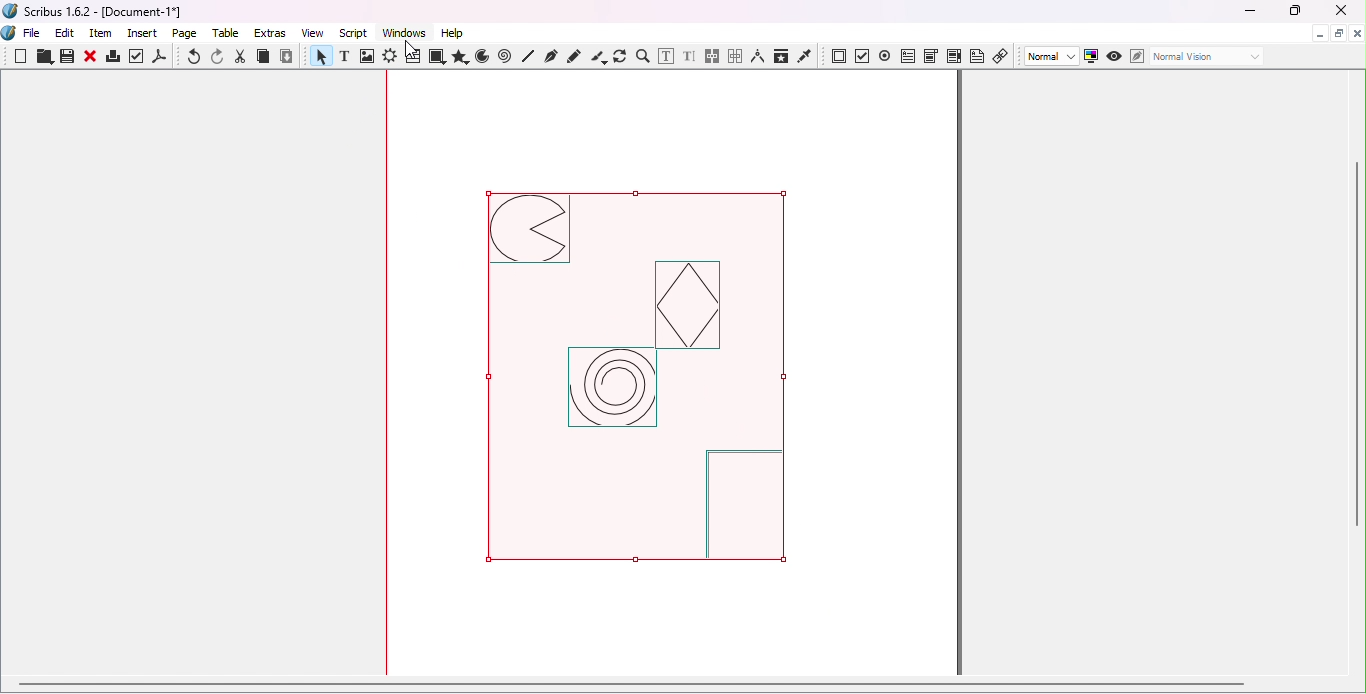 This screenshot has width=1366, height=694. Describe the element at coordinates (713, 57) in the screenshot. I see `Link text frames` at that location.